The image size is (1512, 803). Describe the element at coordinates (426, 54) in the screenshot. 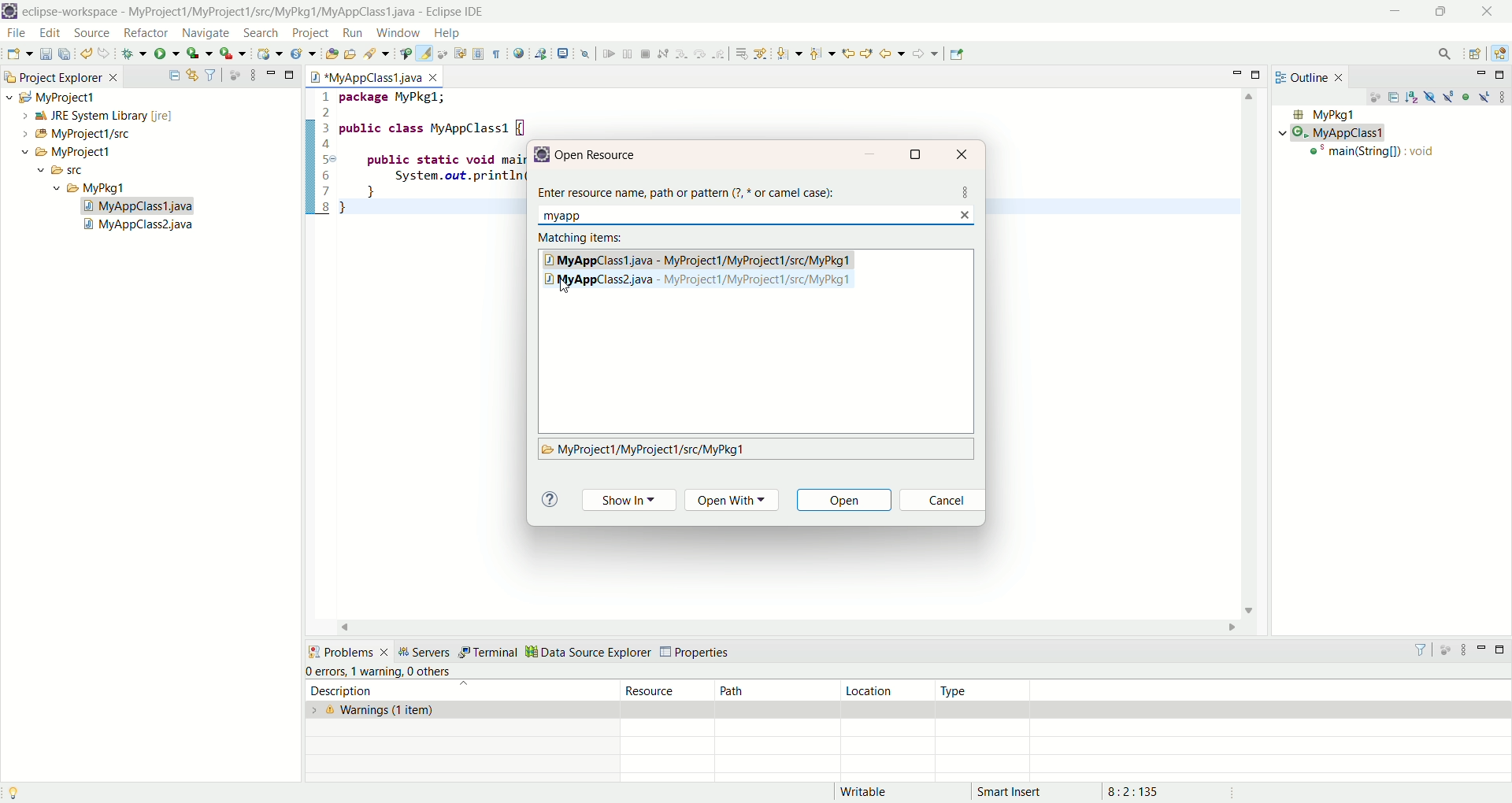

I see `toggle mark occurrences` at that location.